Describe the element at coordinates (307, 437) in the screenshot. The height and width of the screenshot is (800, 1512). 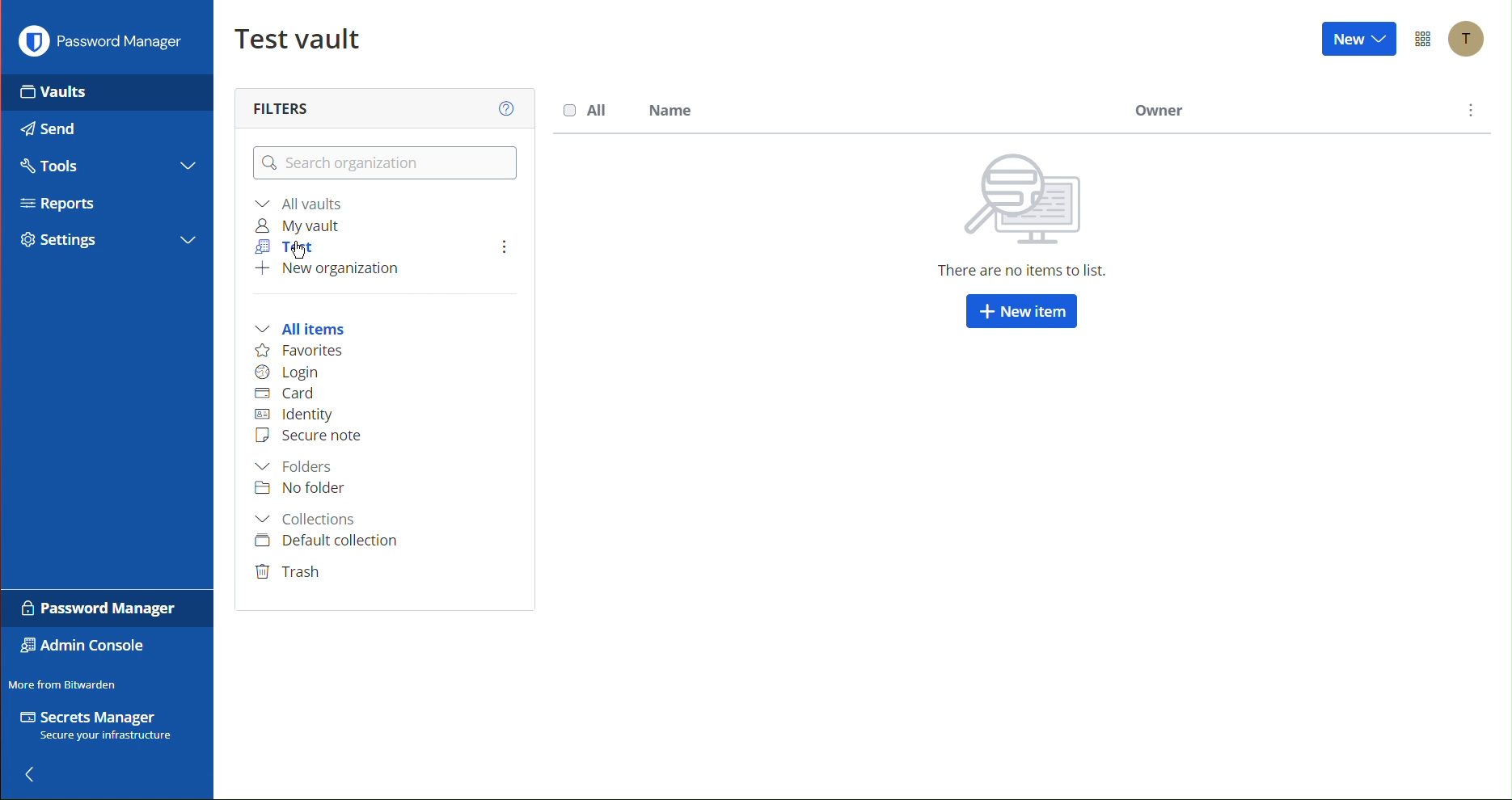
I see `Secure note` at that location.